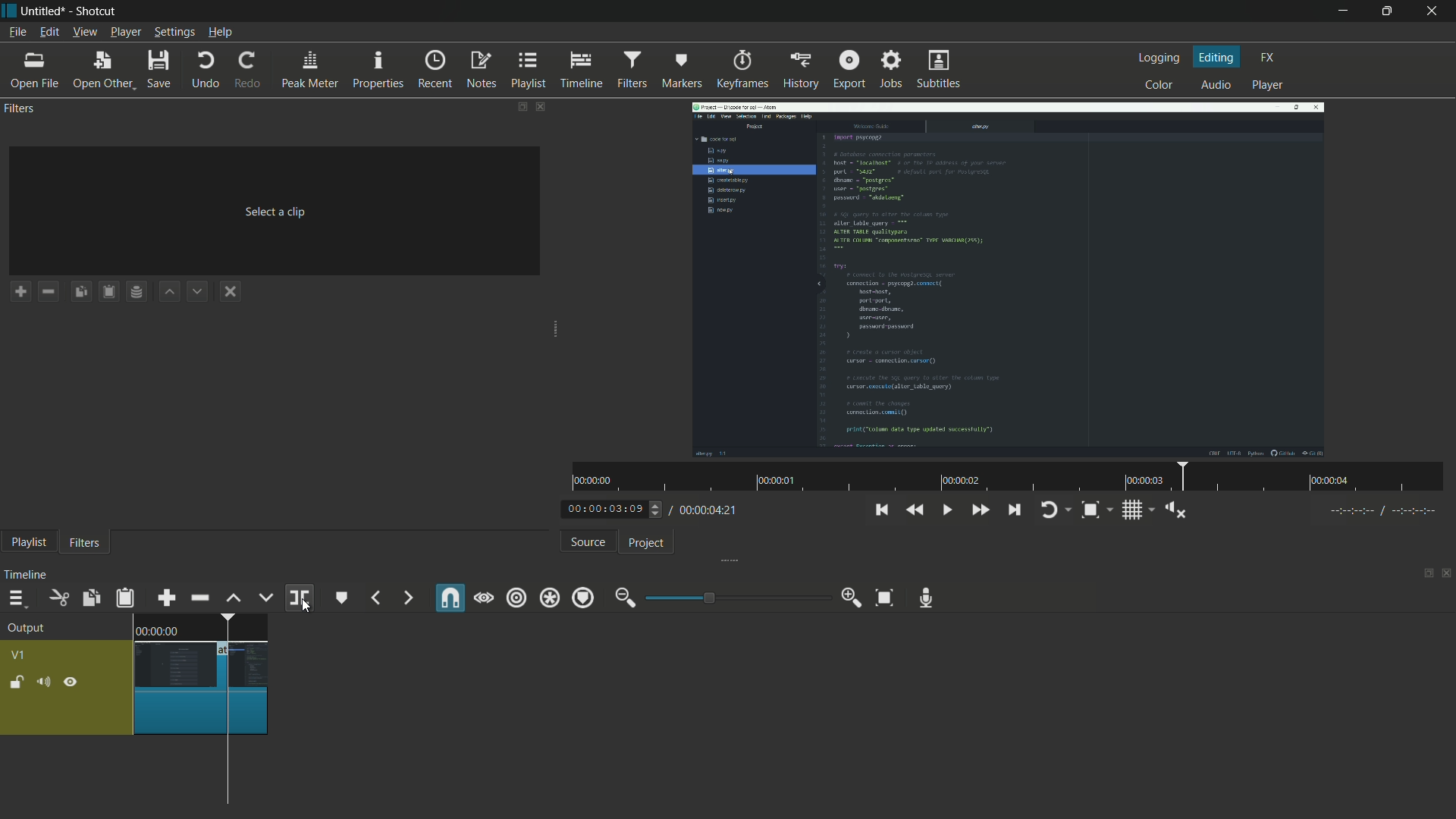 This screenshot has height=819, width=1456. I want to click on properties, so click(378, 69).